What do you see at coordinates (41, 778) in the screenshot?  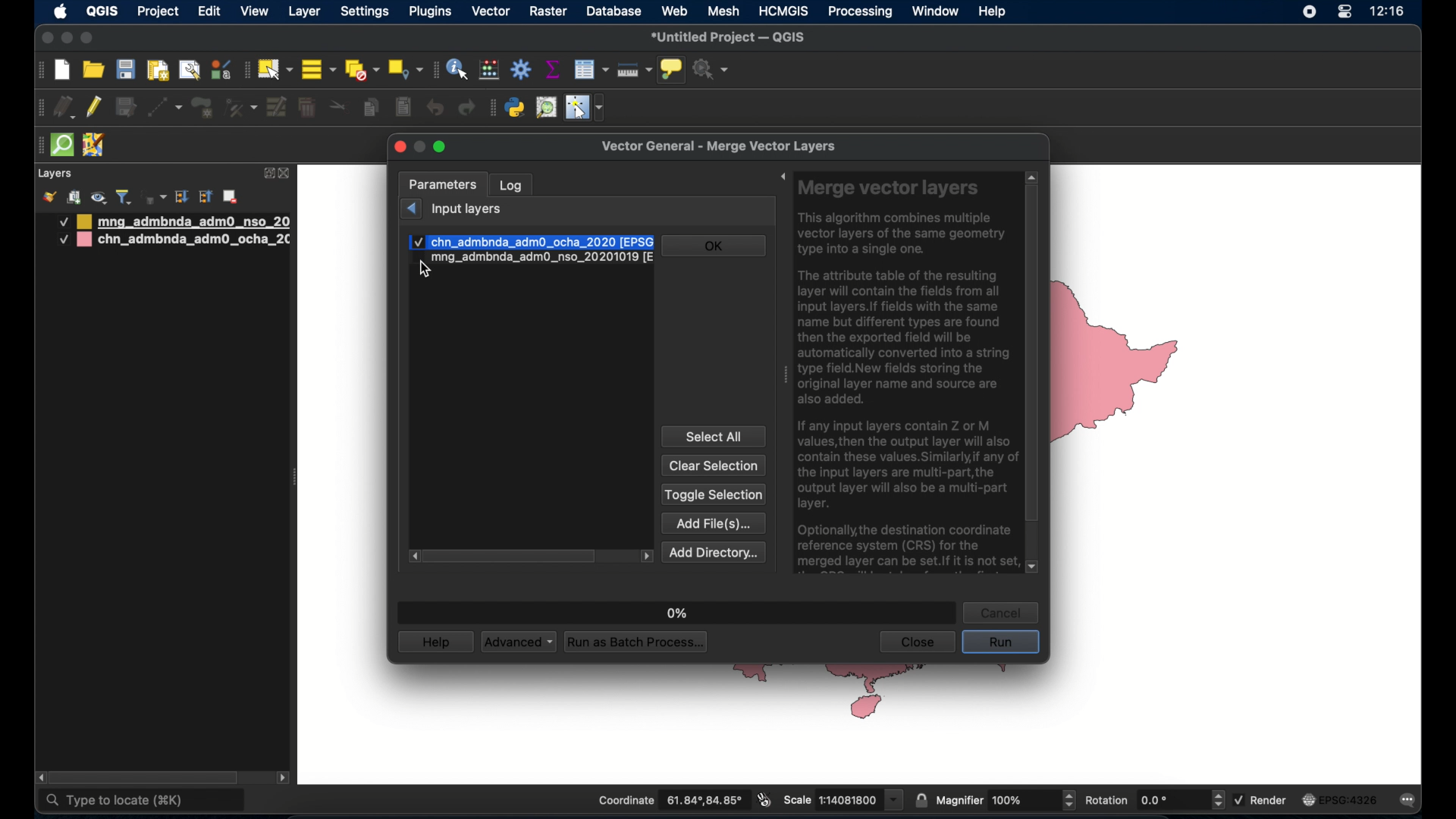 I see `scroll left` at bounding box center [41, 778].